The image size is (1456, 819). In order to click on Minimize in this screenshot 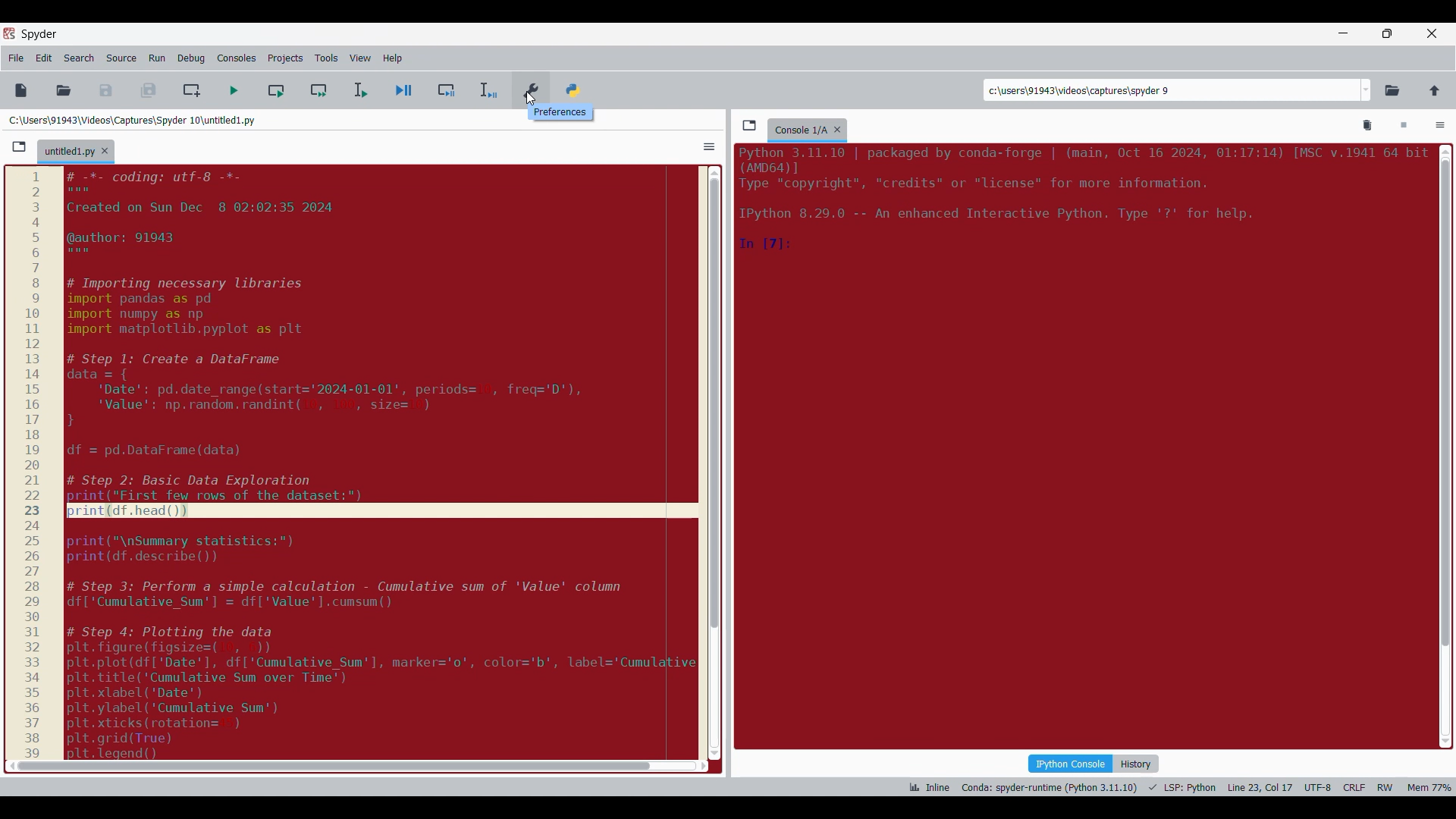, I will do `click(1344, 33)`.